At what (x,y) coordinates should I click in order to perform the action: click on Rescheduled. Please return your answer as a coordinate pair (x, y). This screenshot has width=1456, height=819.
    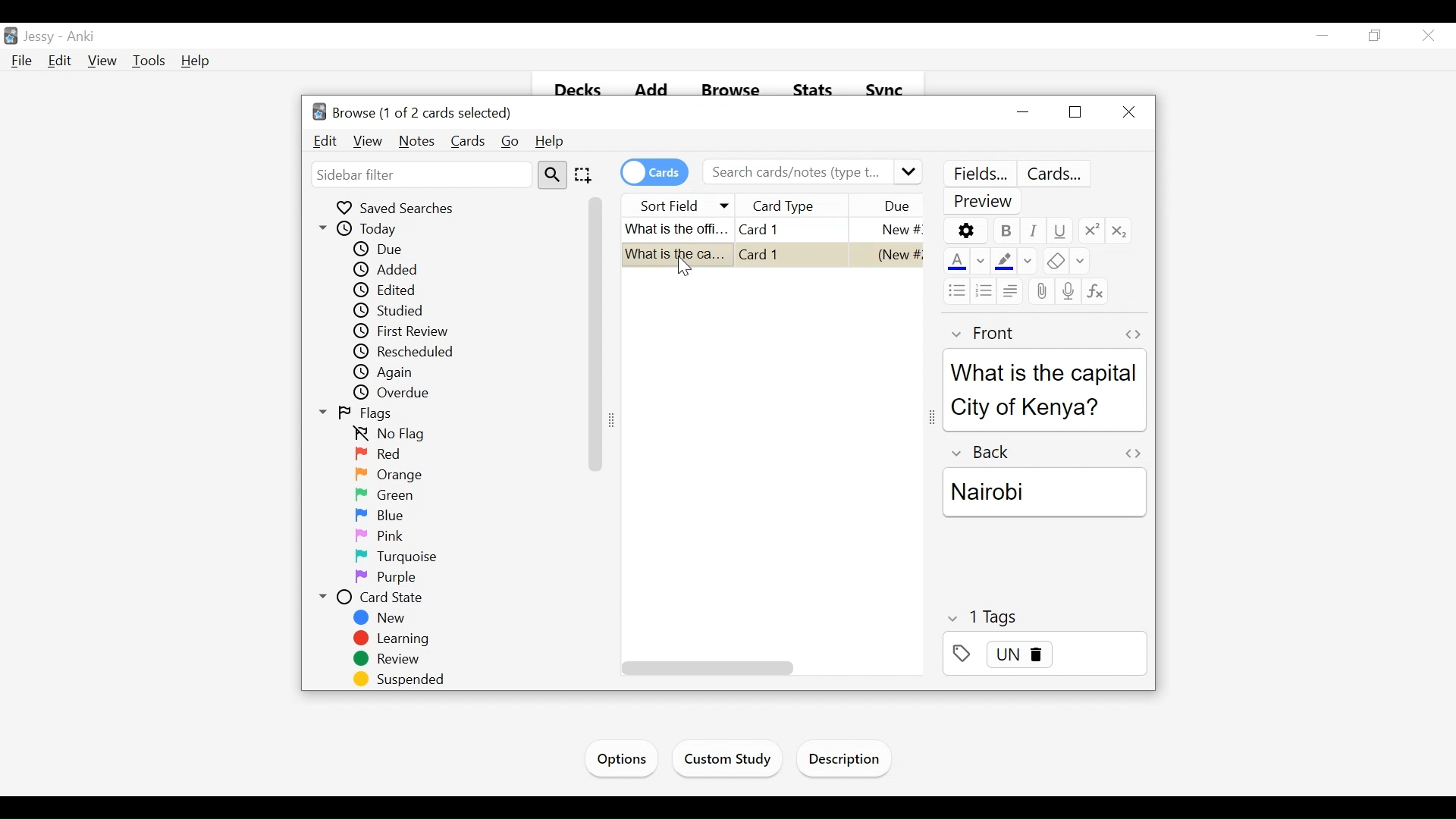
    Looking at the image, I should click on (406, 352).